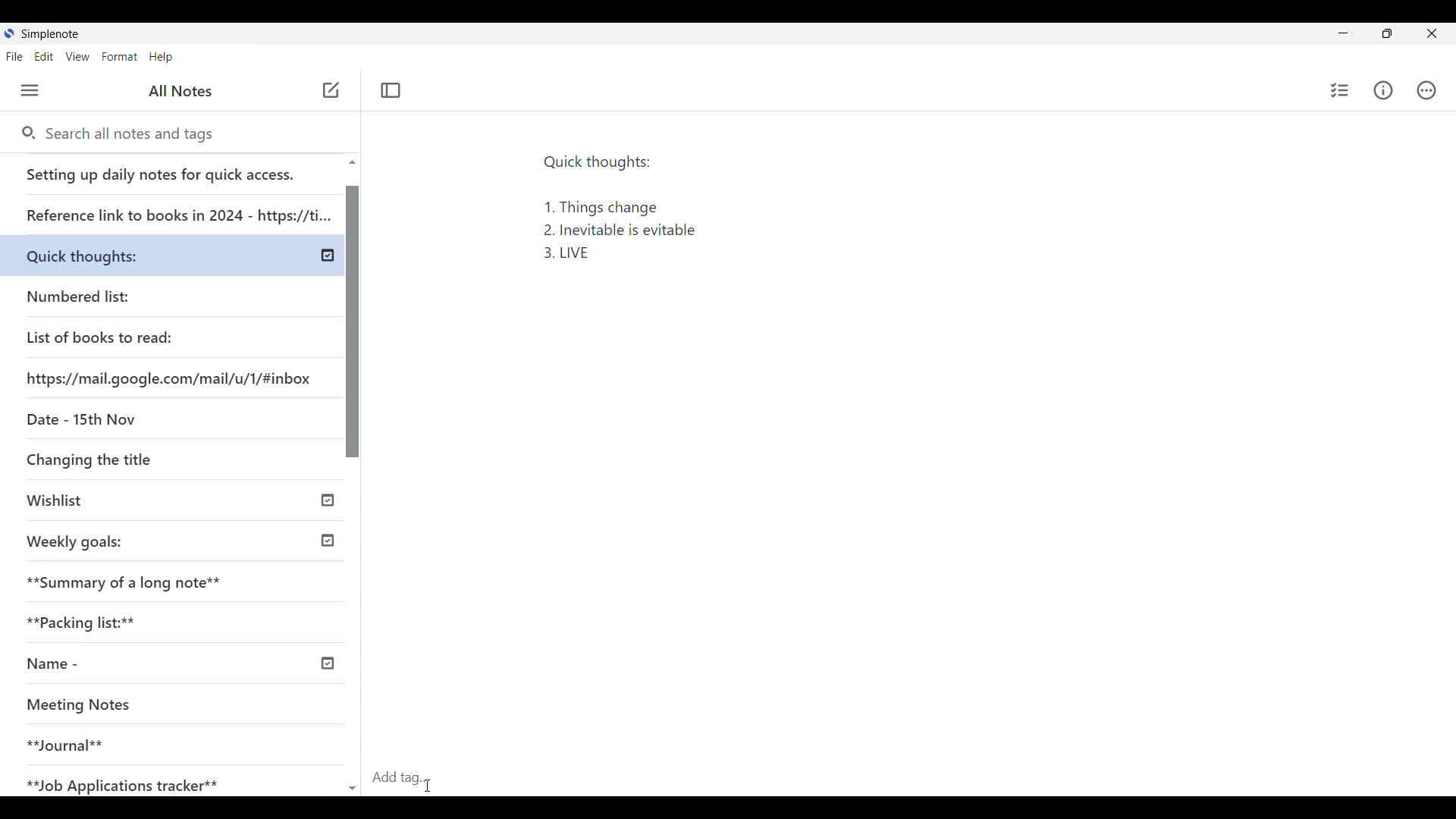 The width and height of the screenshot is (1456, 819). Describe the element at coordinates (161, 57) in the screenshot. I see `Help menu` at that location.